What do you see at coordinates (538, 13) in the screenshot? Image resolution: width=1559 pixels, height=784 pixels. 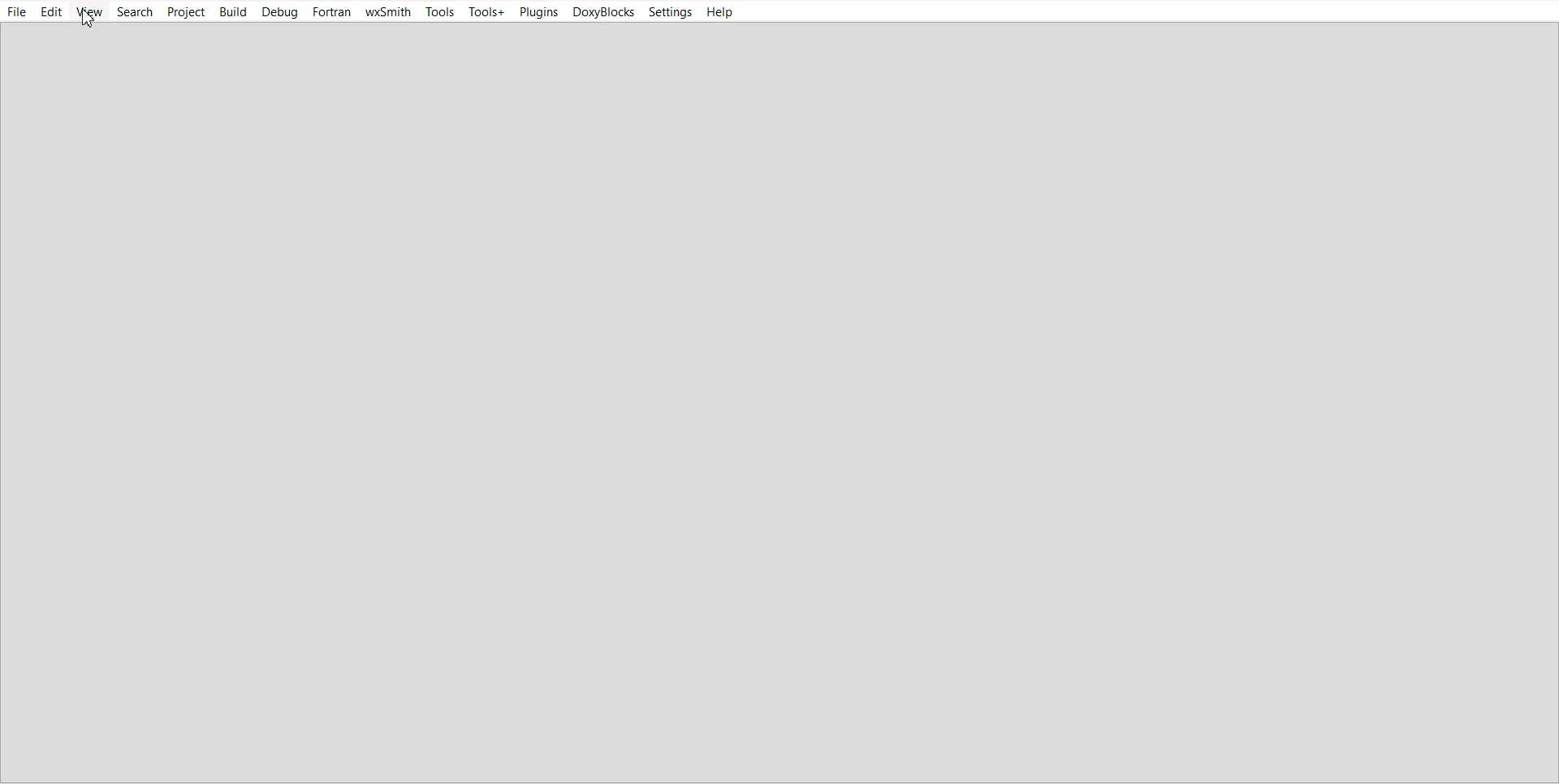 I see `Plugins` at bounding box center [538, 13].